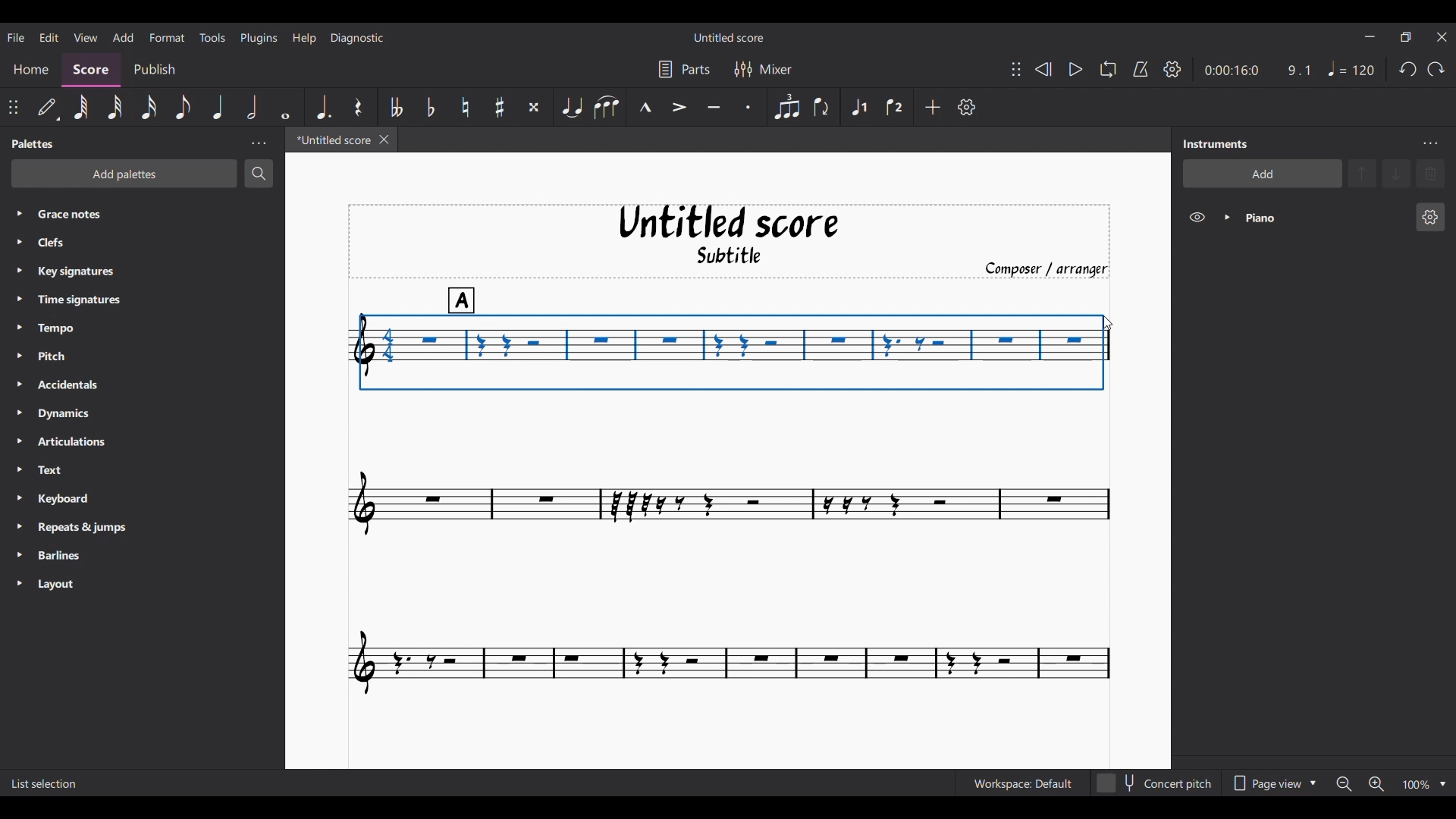  Describe the element at coordinates (1429, 144) in the screenshot. I see `Instrument settings` at that location.